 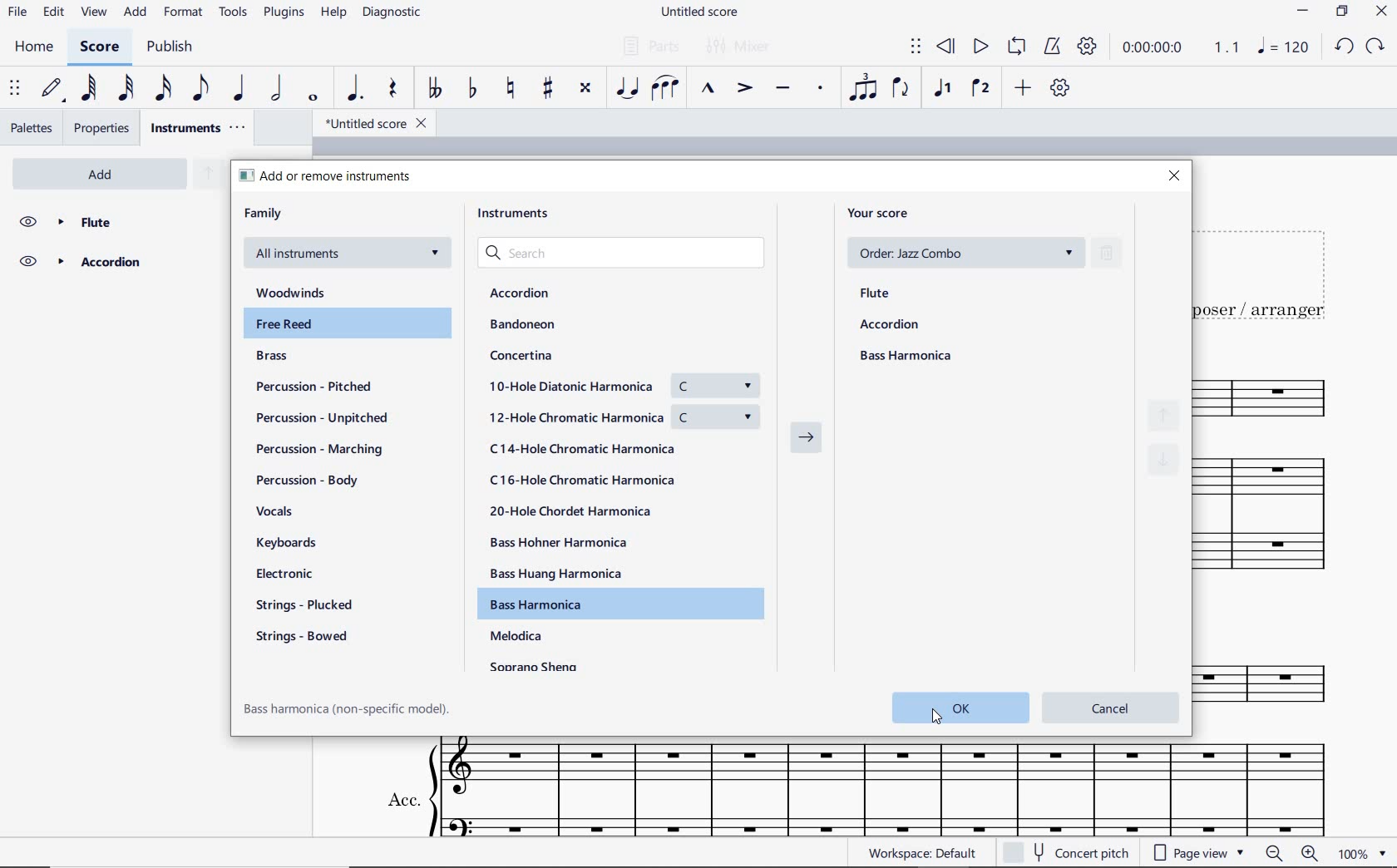 I want to click on Melodica, so click(x=520, y=640).